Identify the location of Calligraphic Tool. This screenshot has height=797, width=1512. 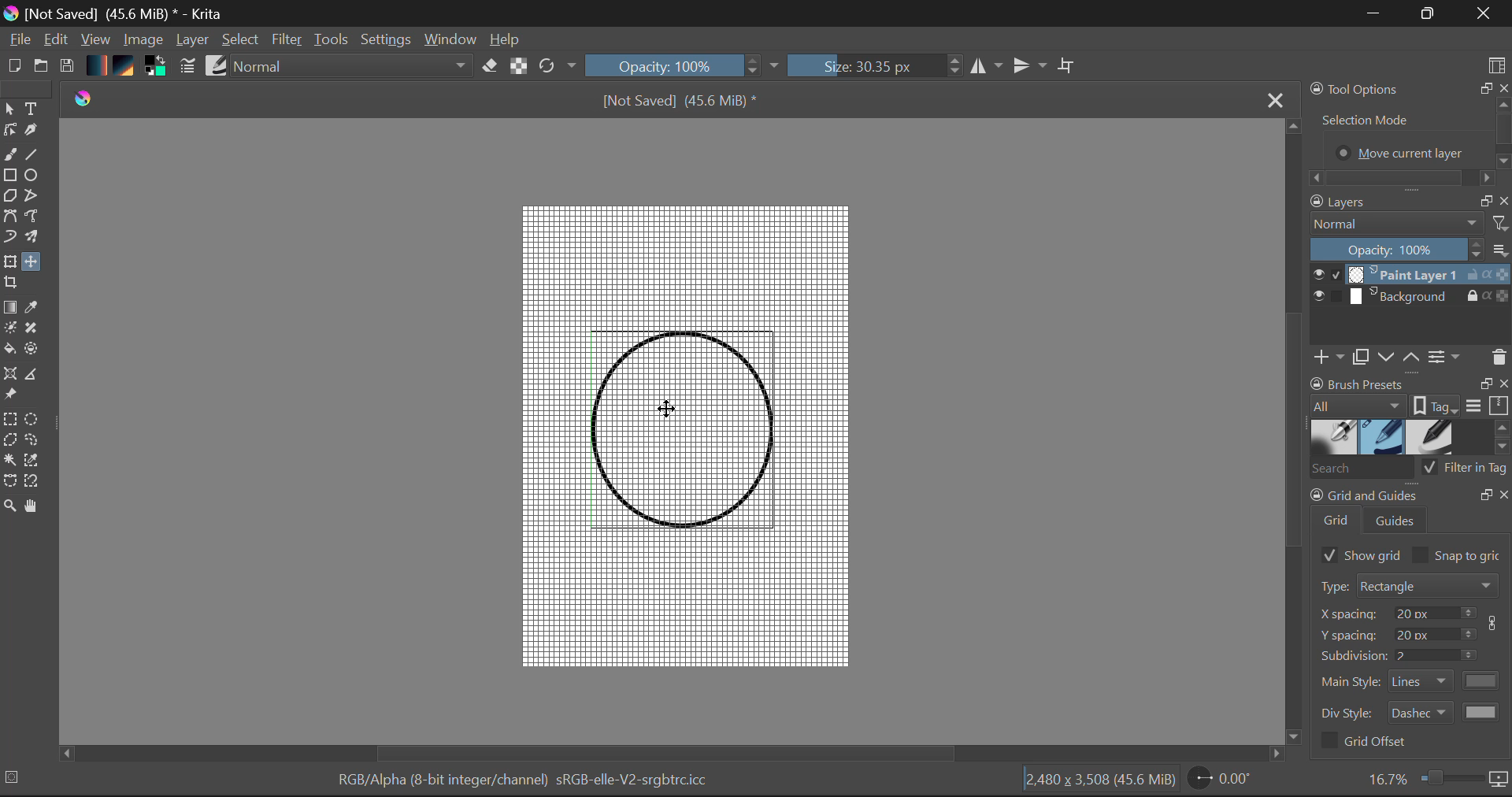
(36, 132).